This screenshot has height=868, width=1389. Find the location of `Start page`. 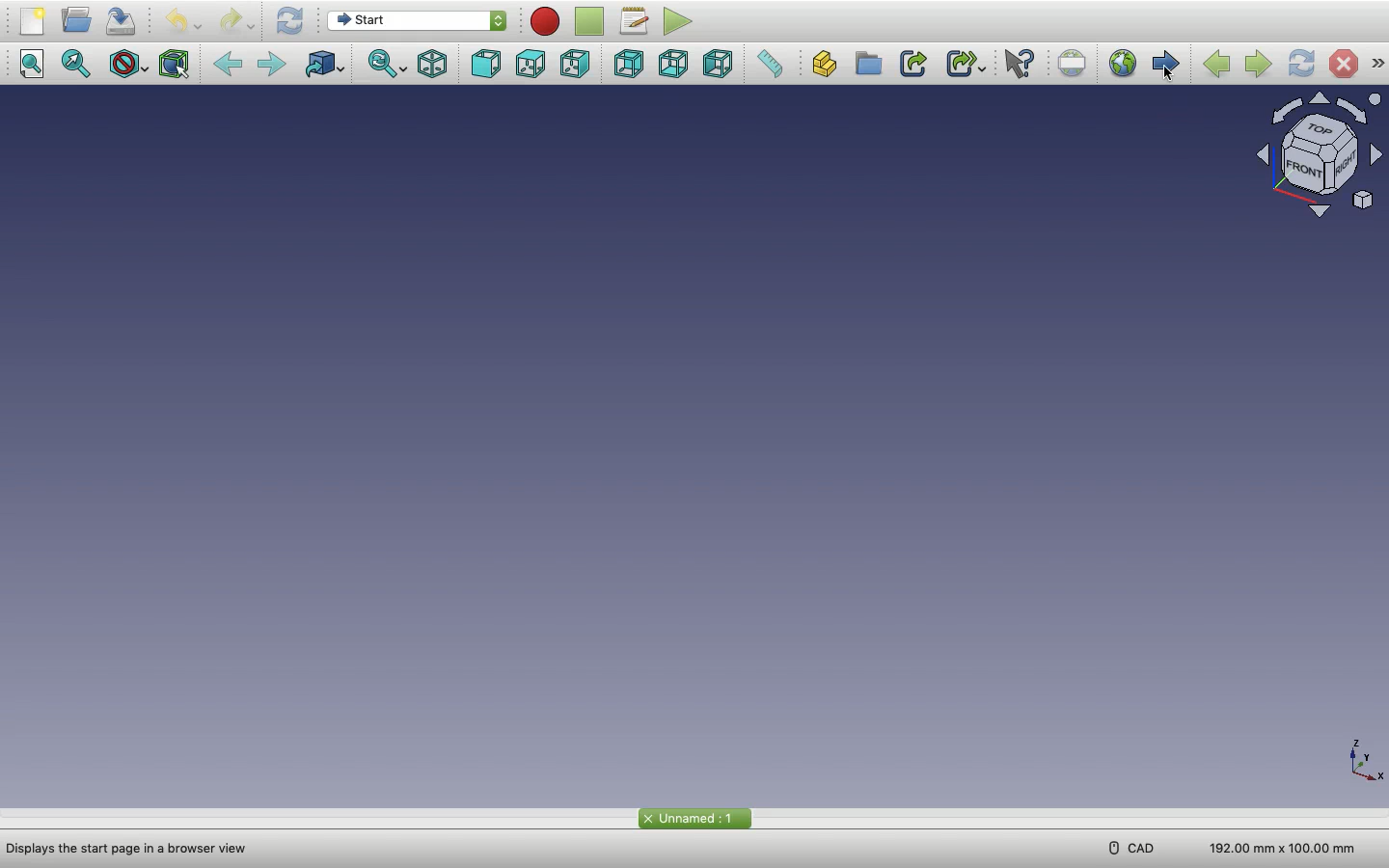

Start page is located at coordinates (1165, 64).